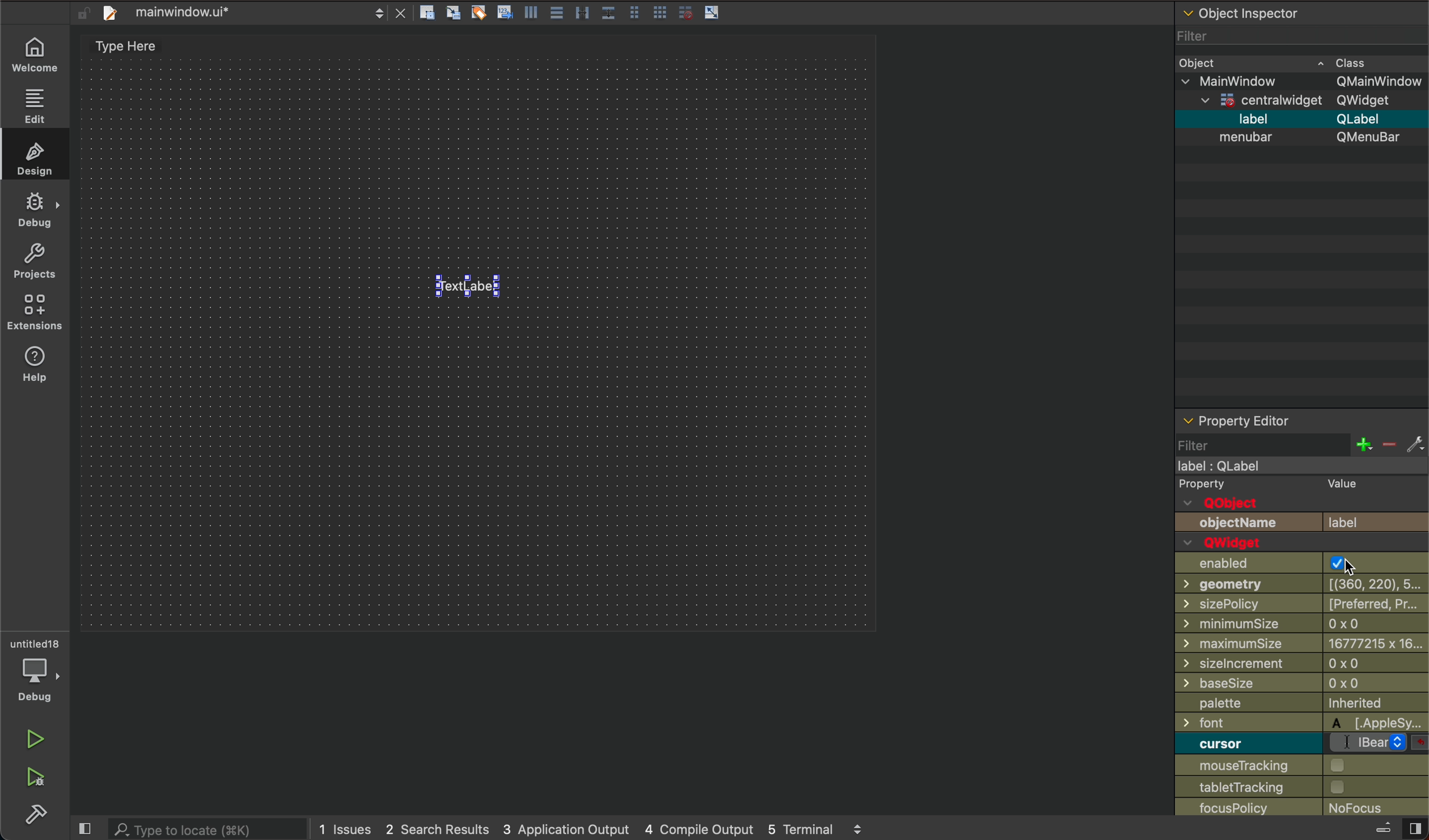 The width and height of the screenshot is (1429, 840). Describe the element at coordinates (34, 635) in the screenshot. I see `untitled` at that location.